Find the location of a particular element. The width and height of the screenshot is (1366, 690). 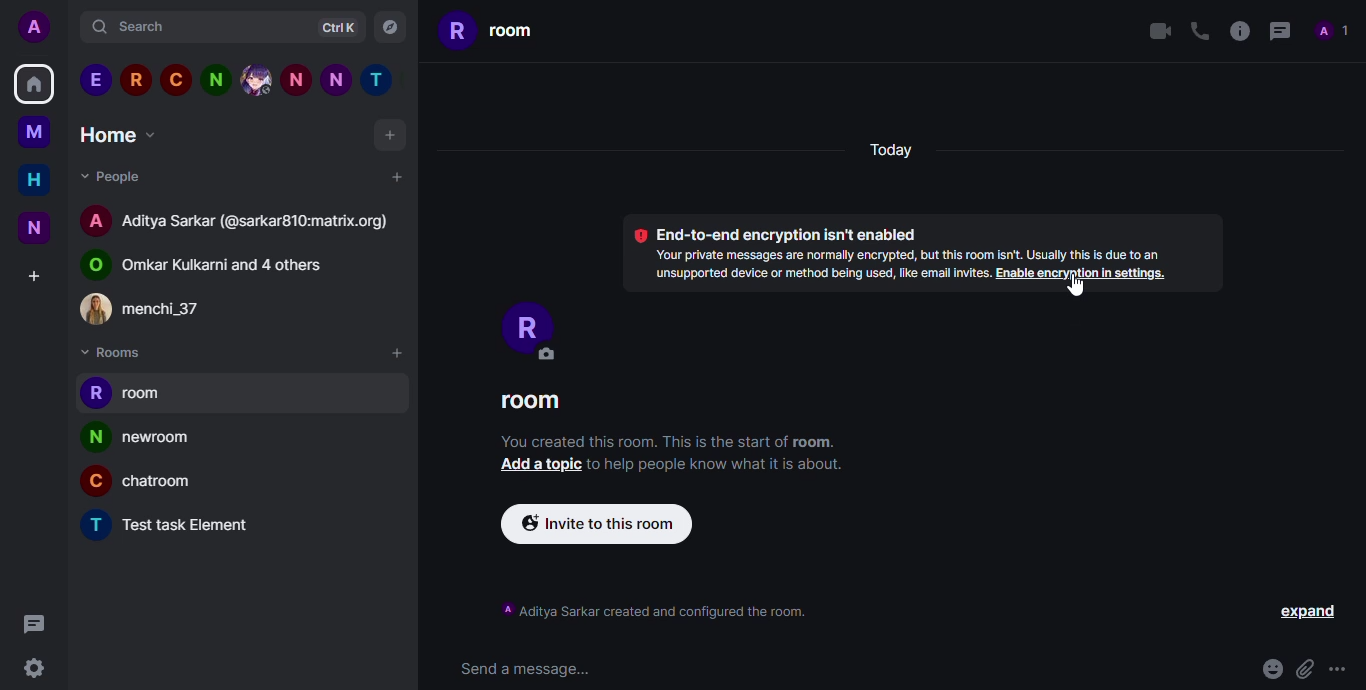

room is located at coordinates (122, 391).